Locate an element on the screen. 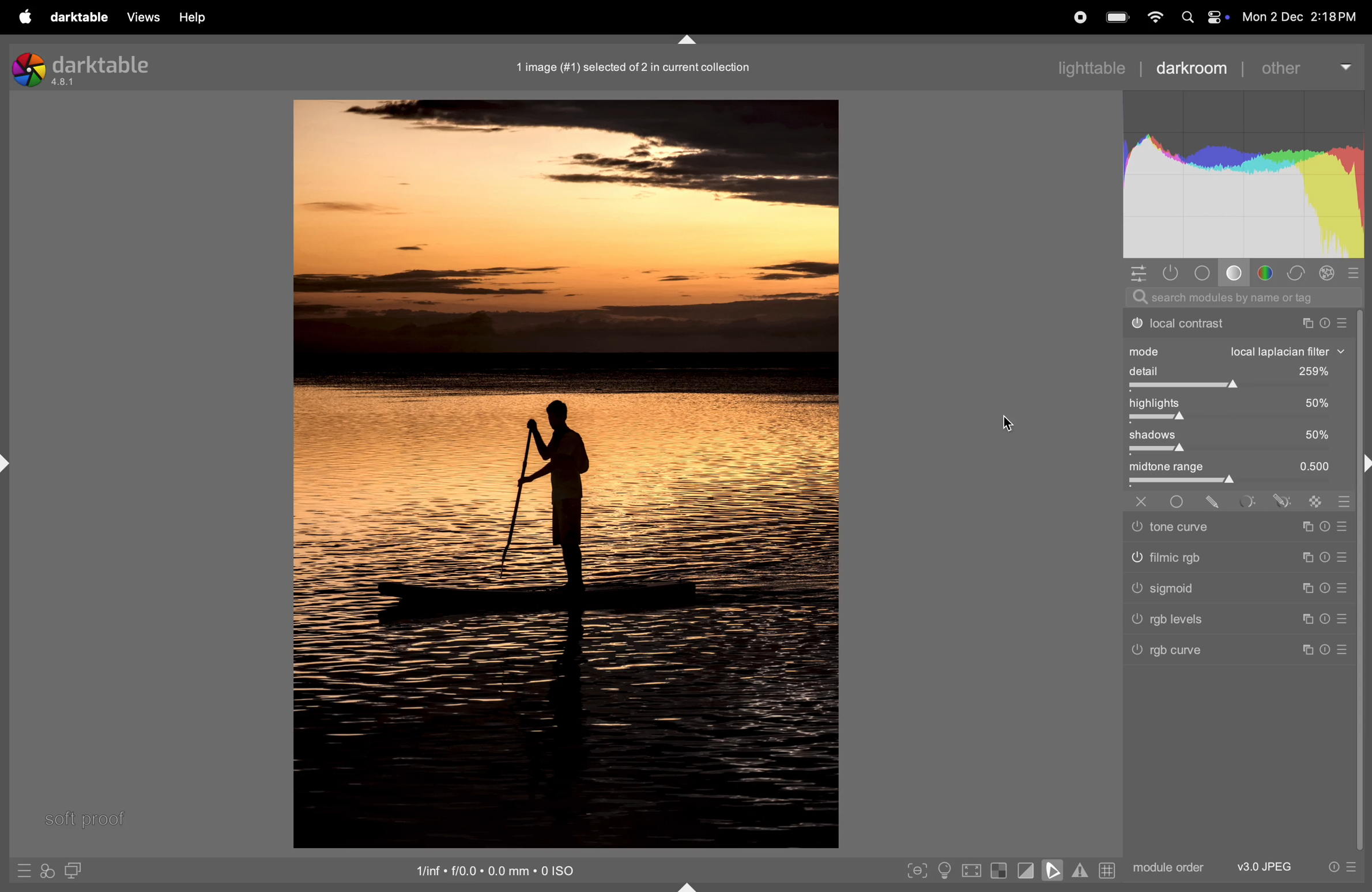 The height and width of the screenshot is (892, 1372). image is located at coordinates (564, 476).